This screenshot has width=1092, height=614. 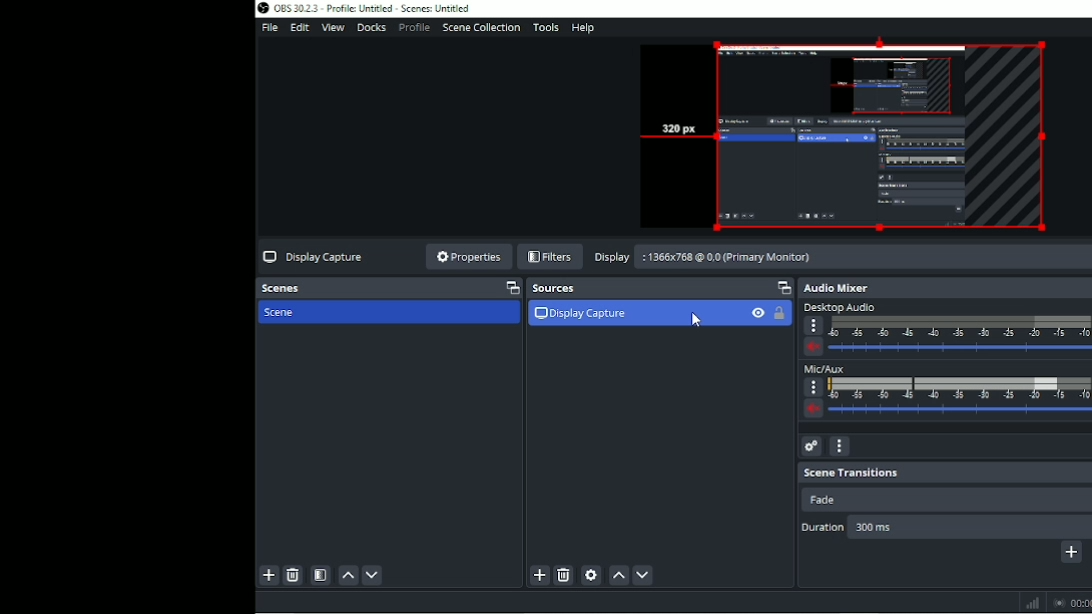 I want to click on Mic/Aux, so click(x=944, y=391).